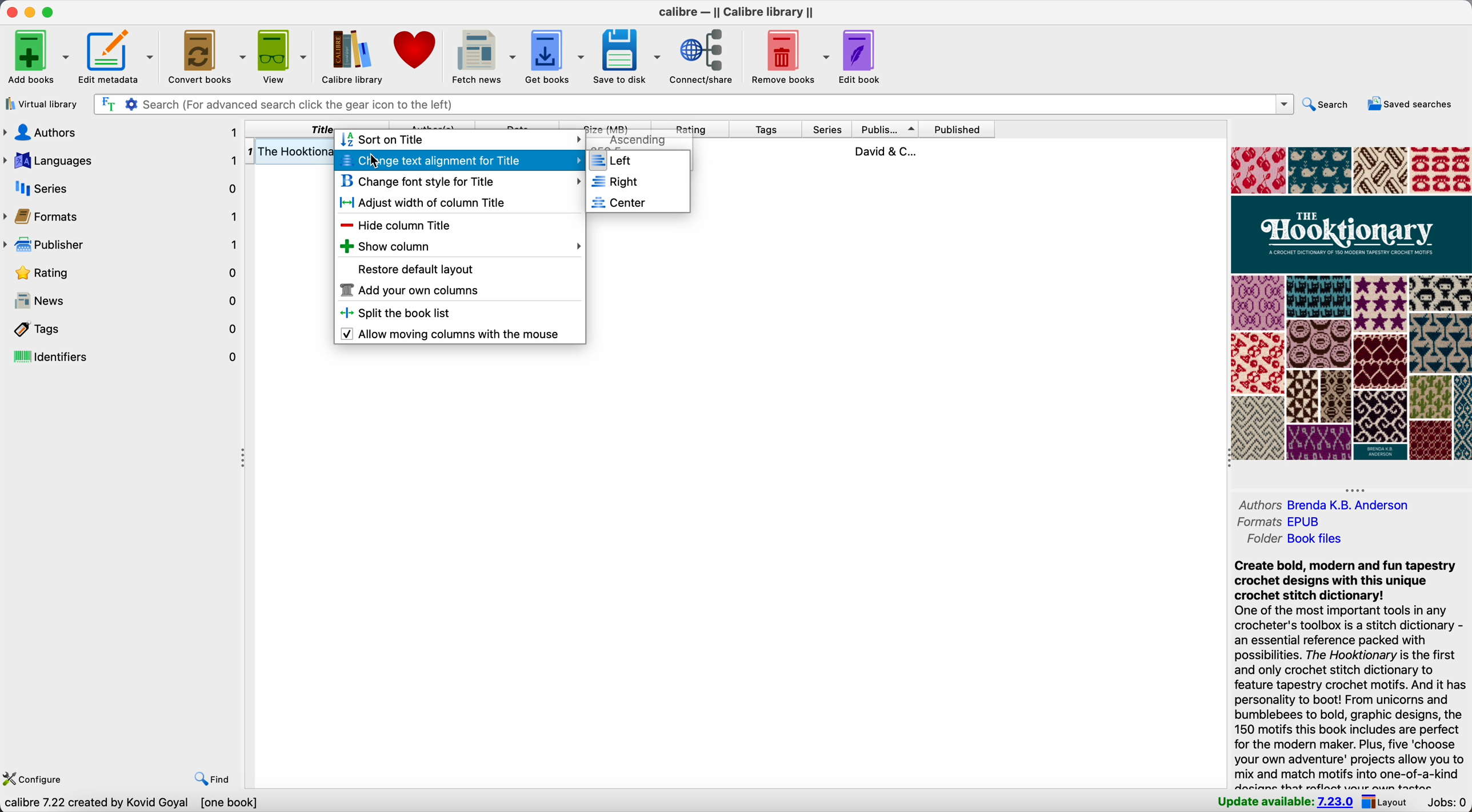 Image resolution: width=1472 pixels, height=812 pixels. What do you see at coordinates (1294, 539) in the screenshot?
I see `folder Book files` at bounding box center [1294, 539].